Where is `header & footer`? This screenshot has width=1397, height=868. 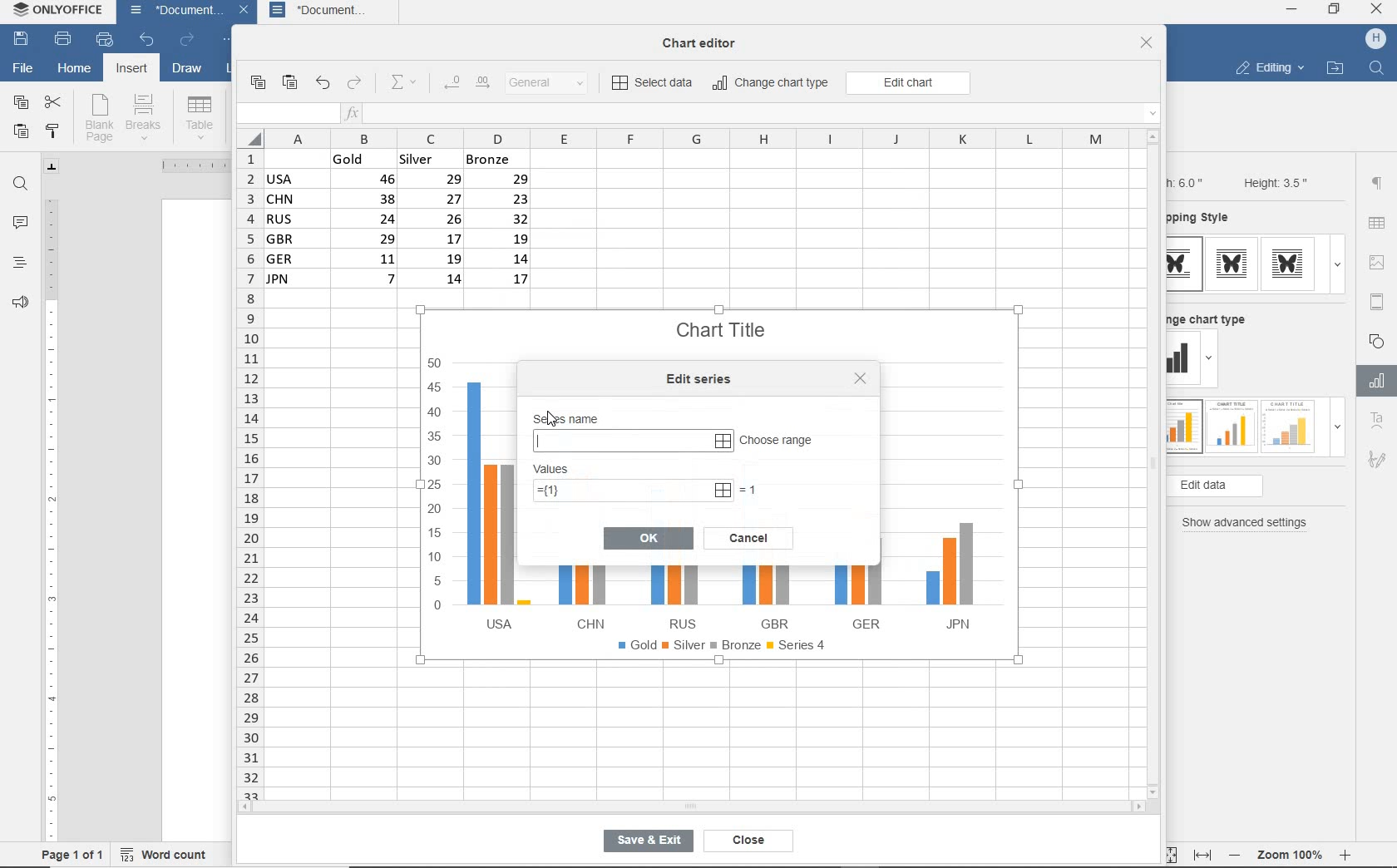 header & footer is located at coordinates (1376, 301).